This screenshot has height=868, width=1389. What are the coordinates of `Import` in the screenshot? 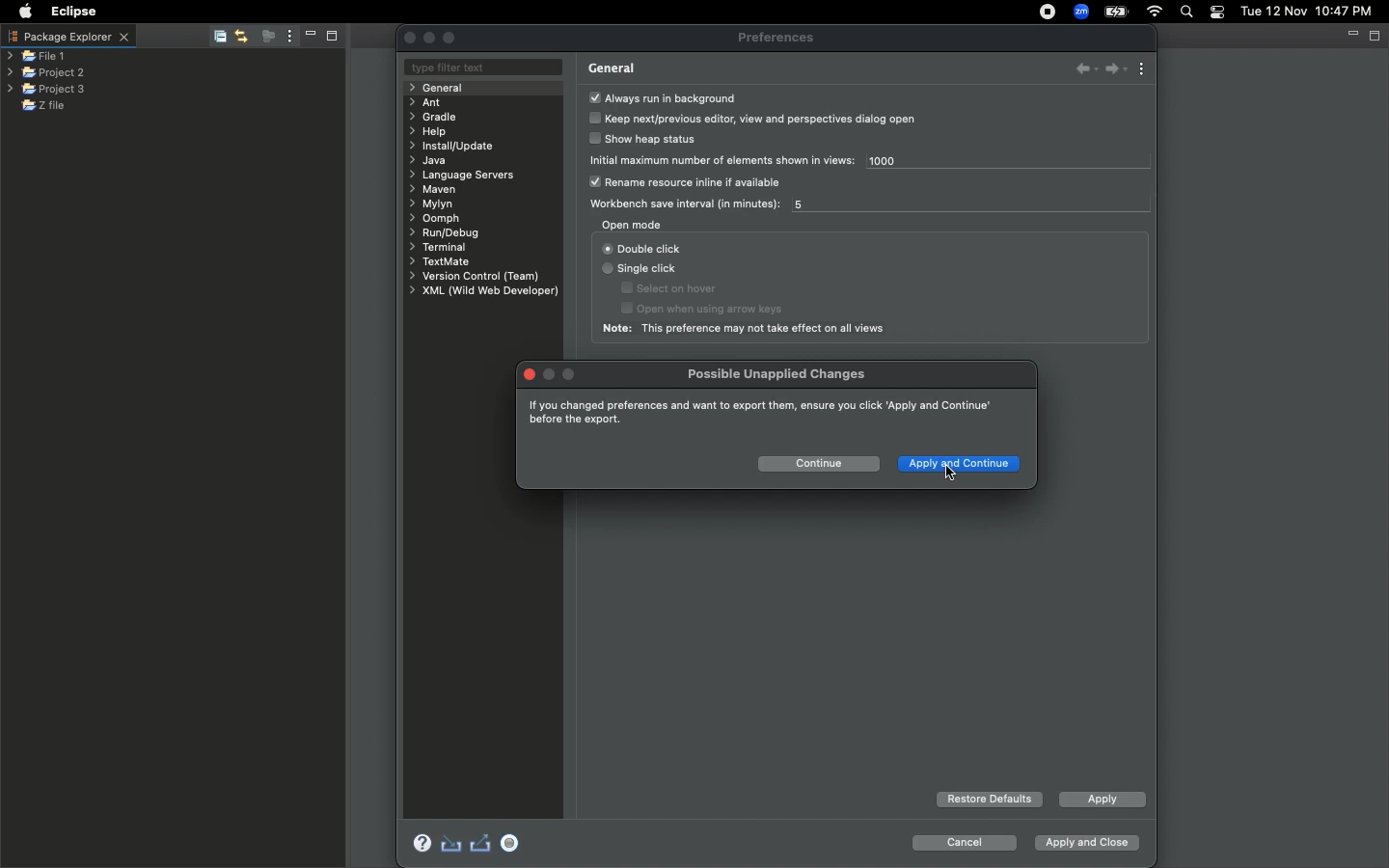 It's located at (451, 843).